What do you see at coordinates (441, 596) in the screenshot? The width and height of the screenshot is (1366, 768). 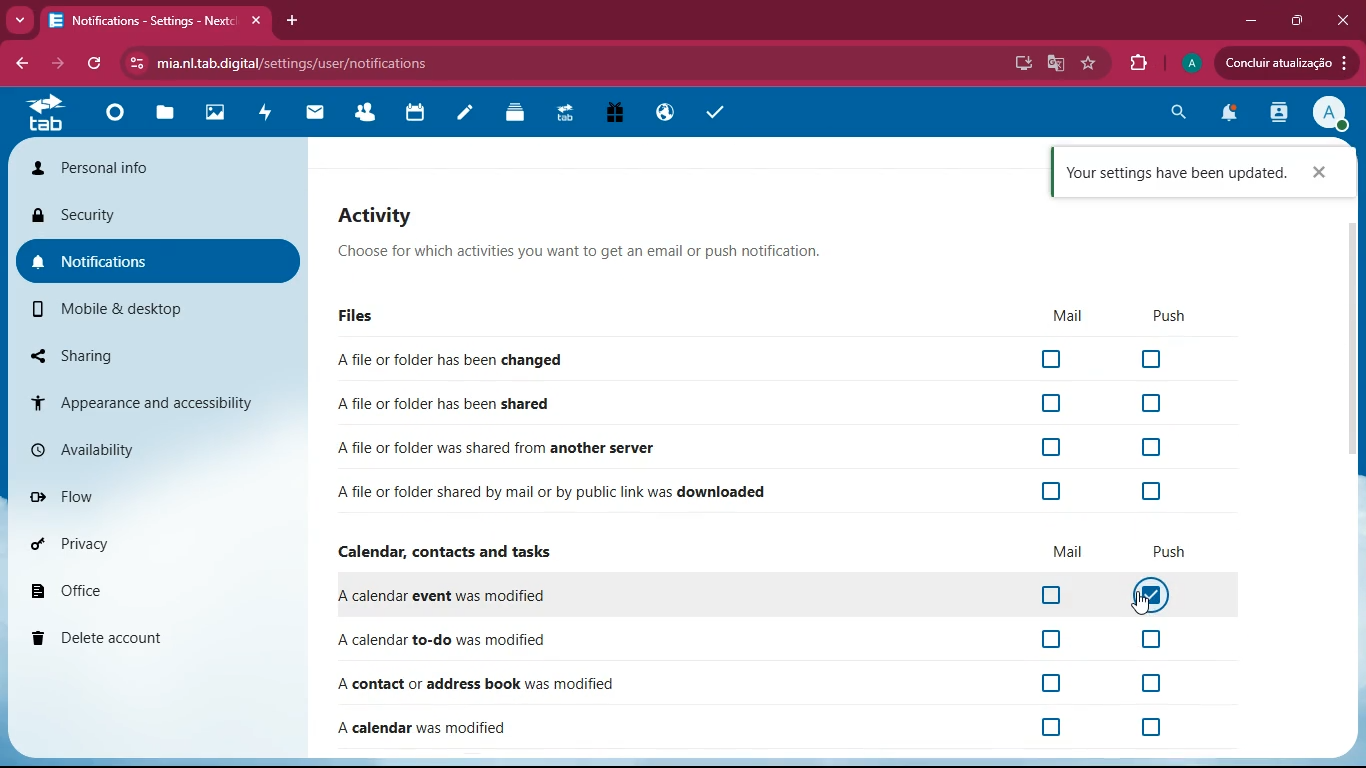 I see `A calendar event was modified` at bounding box center [441, 596].